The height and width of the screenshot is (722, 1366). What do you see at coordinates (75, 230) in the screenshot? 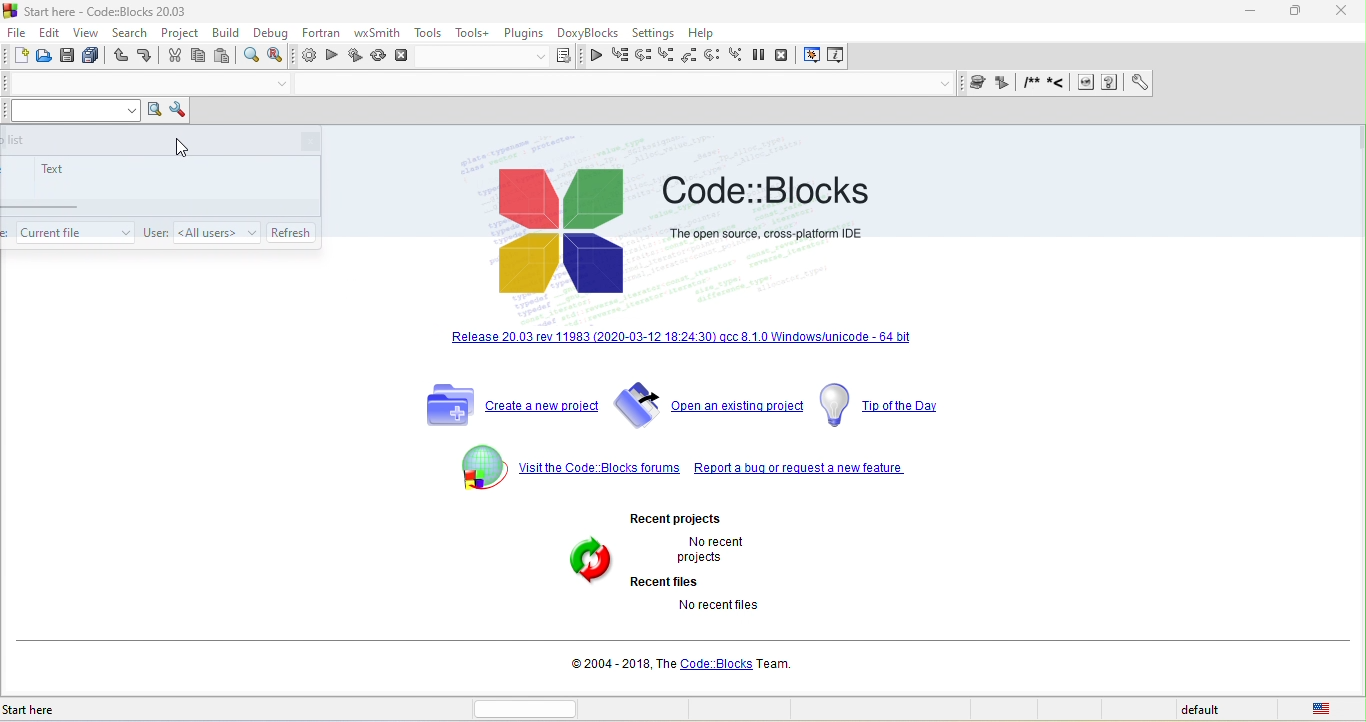
I see `todo list` at bounding box center [75, 230].